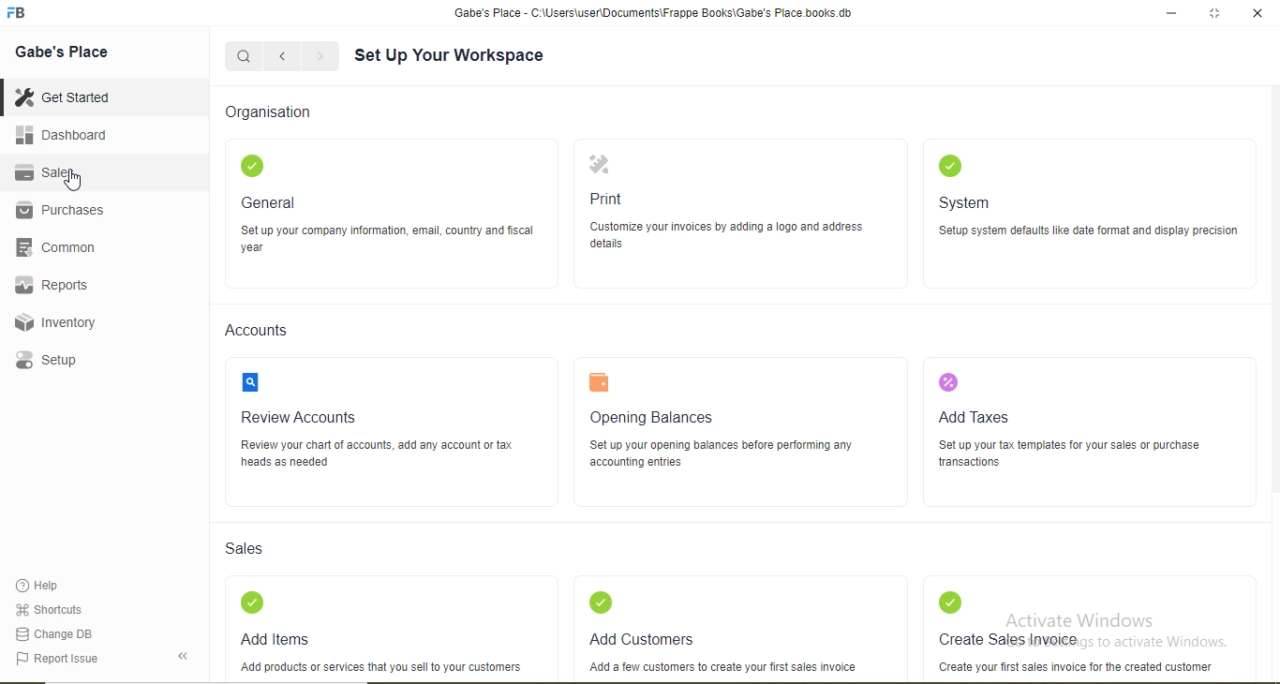  Describe the element at coordinates (607, 602) in the screenshot. I see `tick` at that location.